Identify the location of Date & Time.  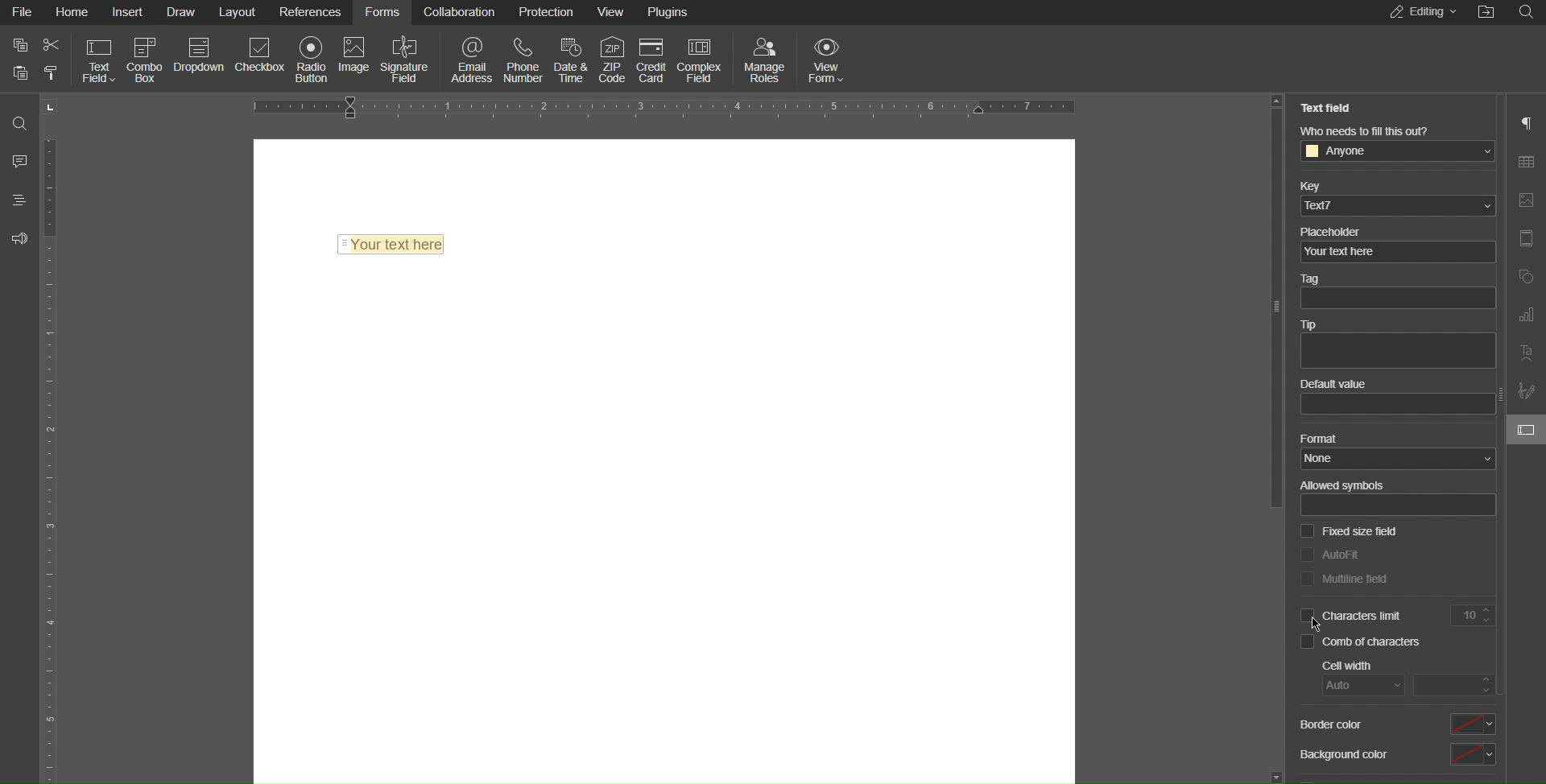
(568, 60).